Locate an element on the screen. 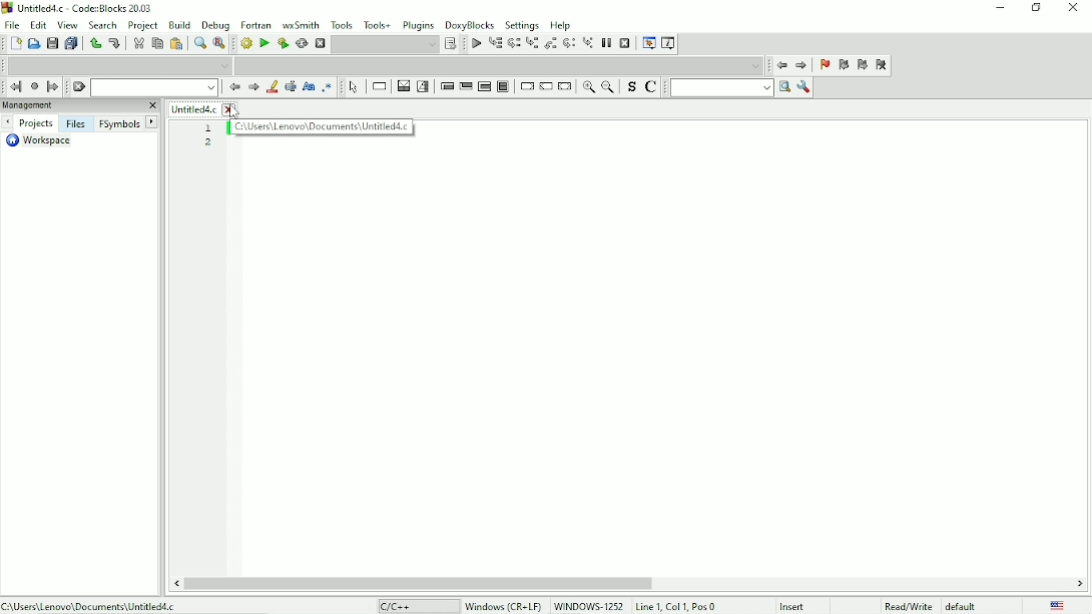  Match case is located at coordinates (308, 86).